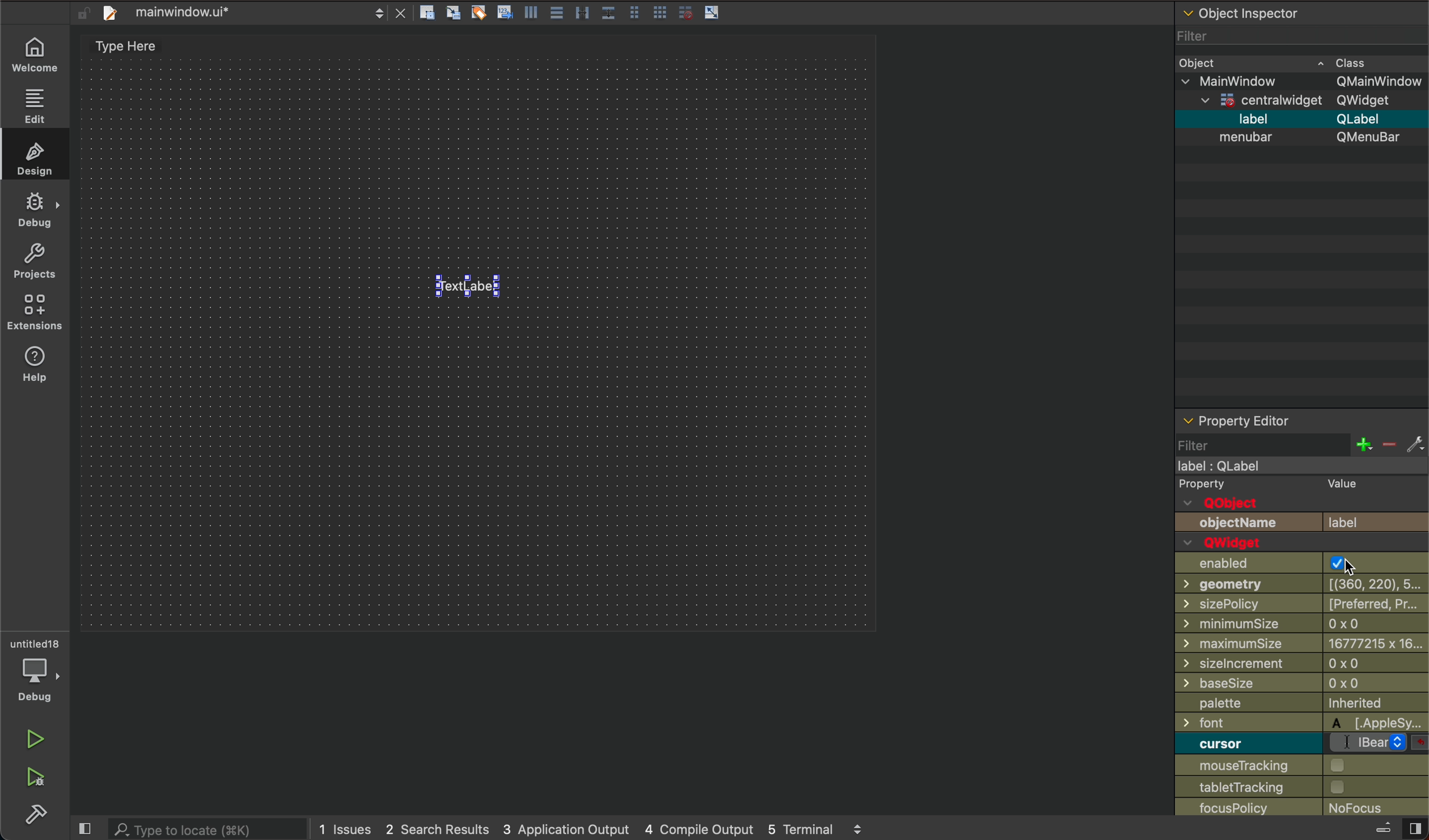 Image resolution: width=1429 pixels, height=840 pixels. What do you see at coordinates (1244, 563) in the screenshot?
I see `enabled` at bounding box center [1244, 563].